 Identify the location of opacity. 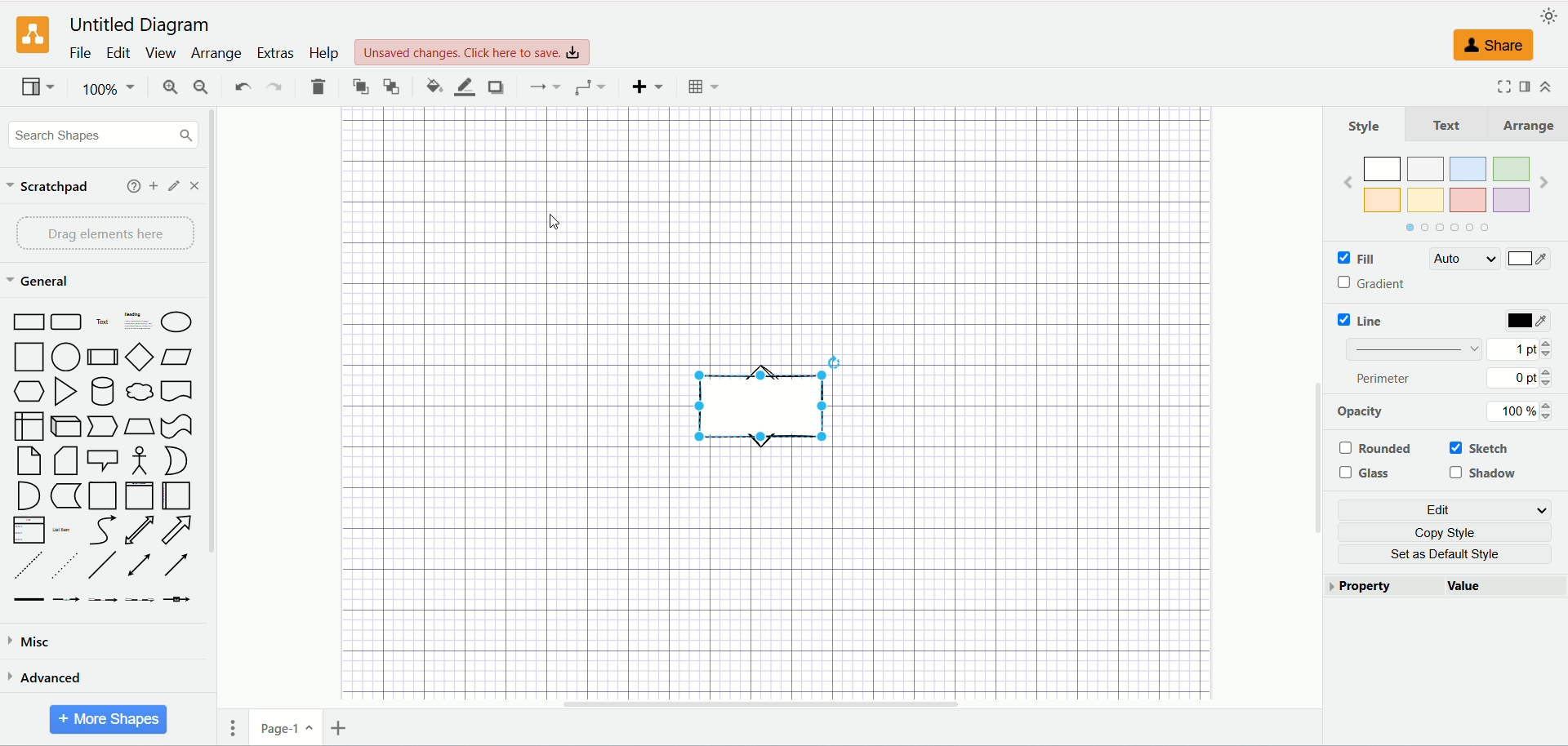
(1371, 410).